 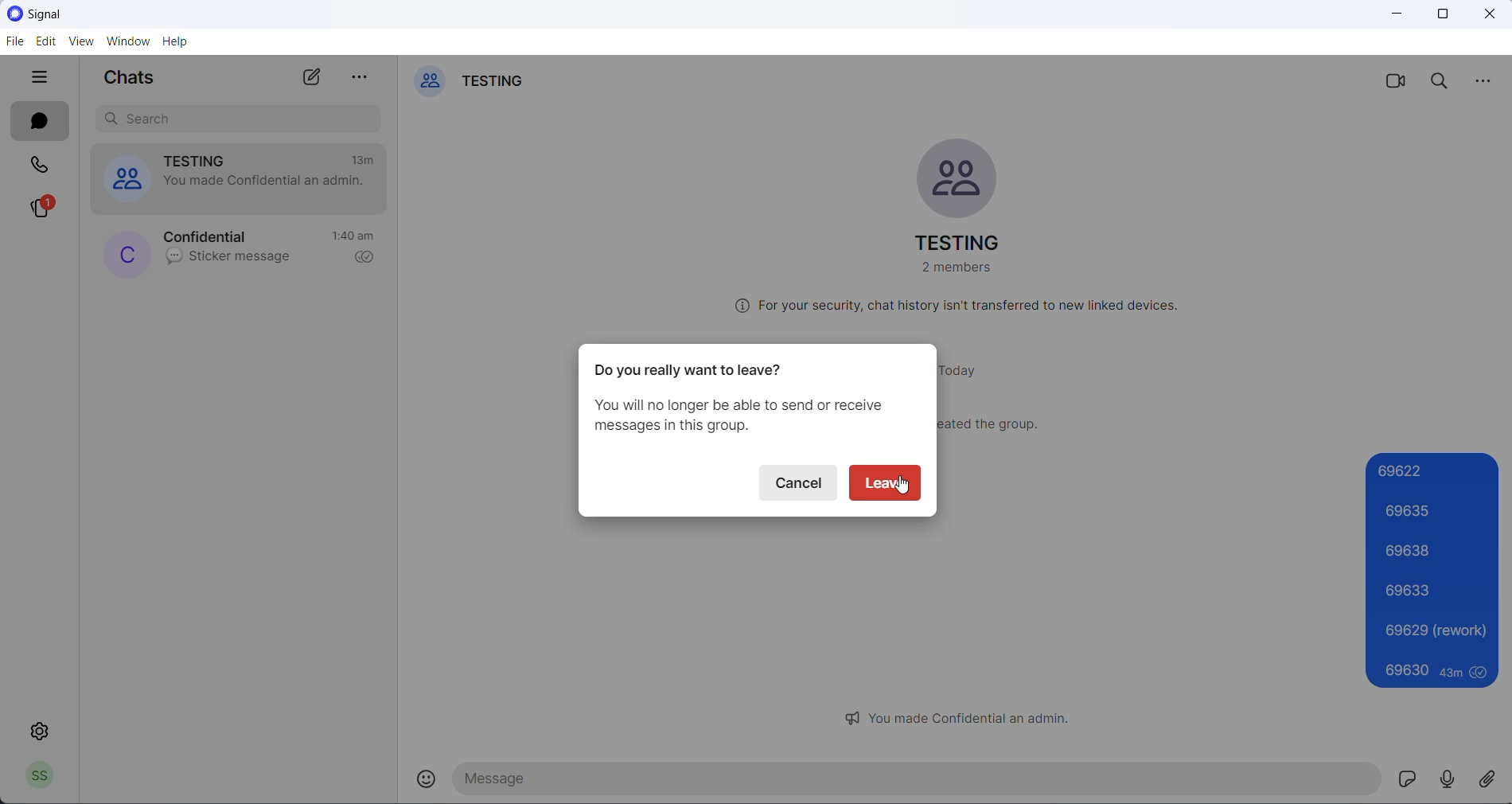 I want to click on chats, so click(x=41, y=120).